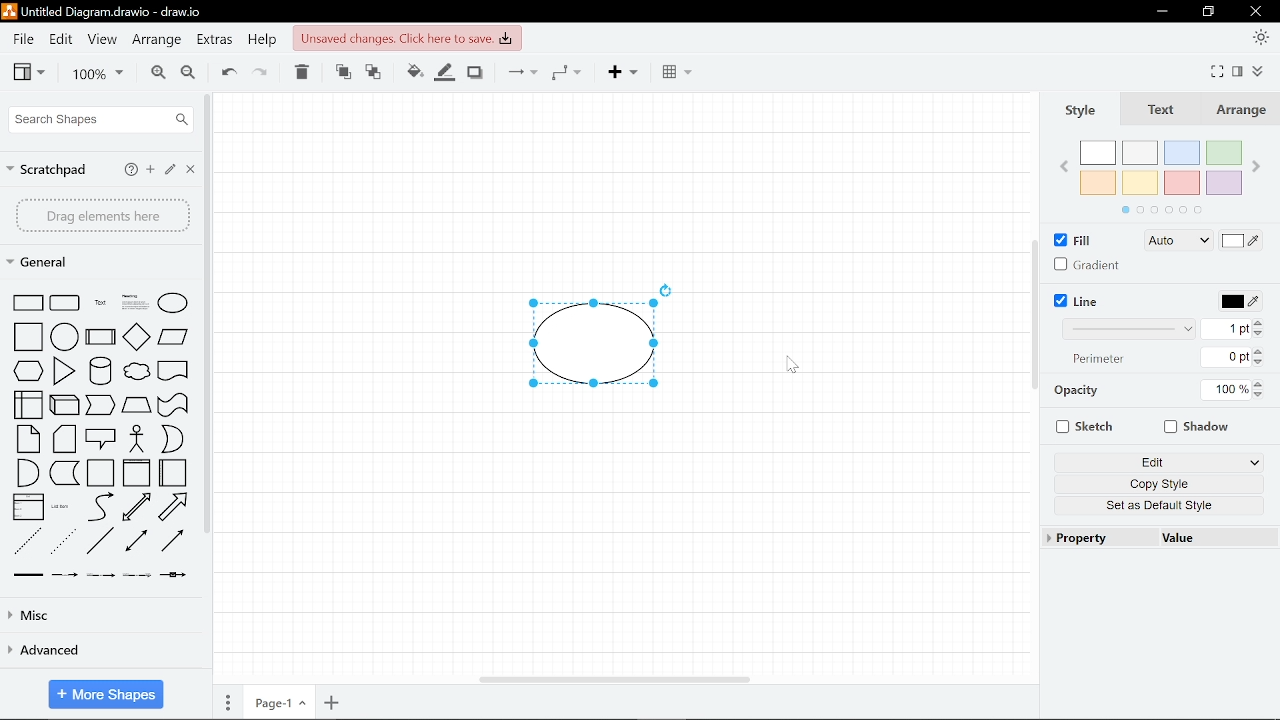 This screenshot has height=720, width=1280. What do you see at coordinates (135, 575) in the screenshot?
I see `connector with 3 labels` at bounding box center [135, 575].